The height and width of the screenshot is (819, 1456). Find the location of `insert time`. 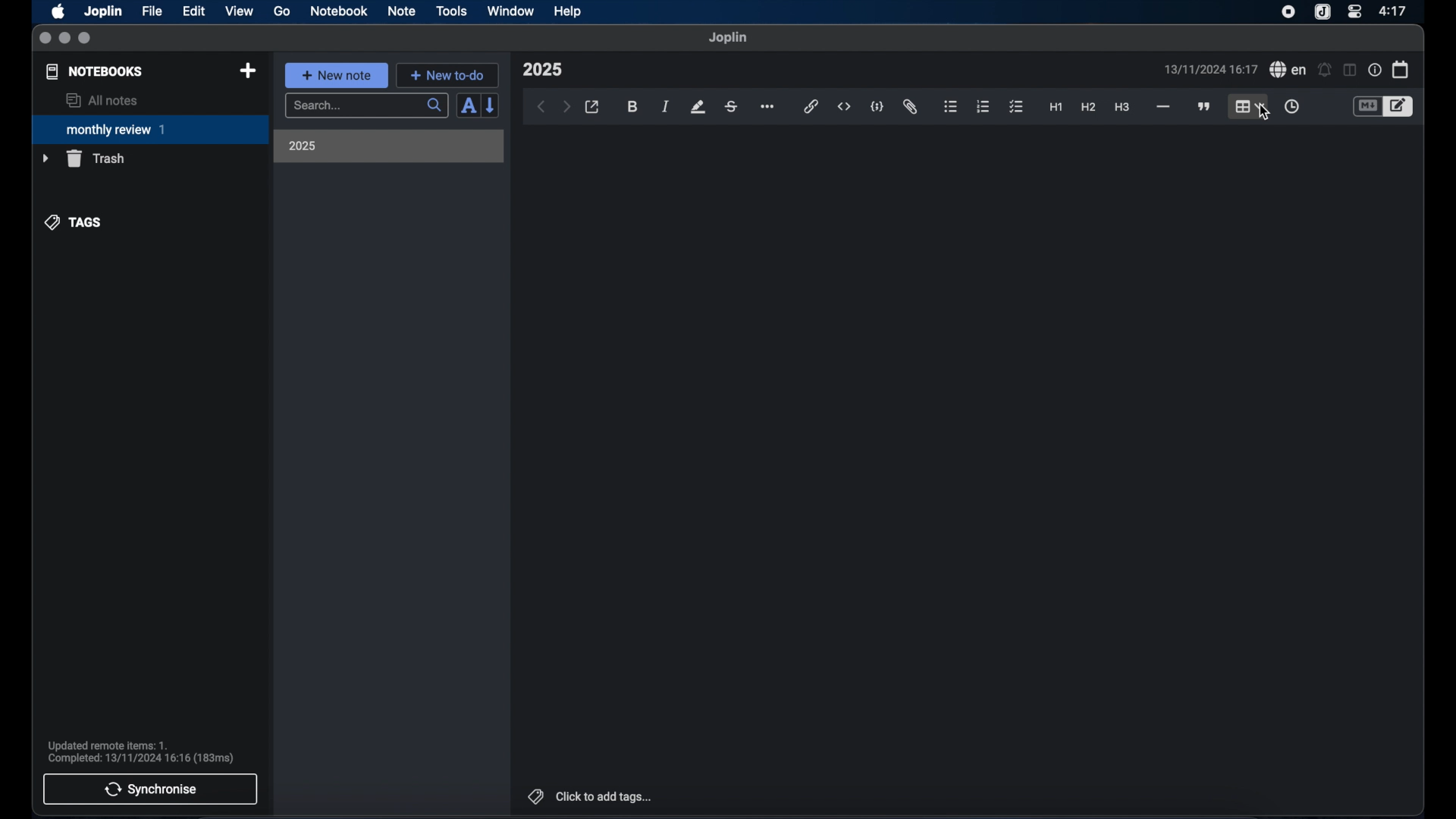

insert time is located at coordinates (1291, 107).